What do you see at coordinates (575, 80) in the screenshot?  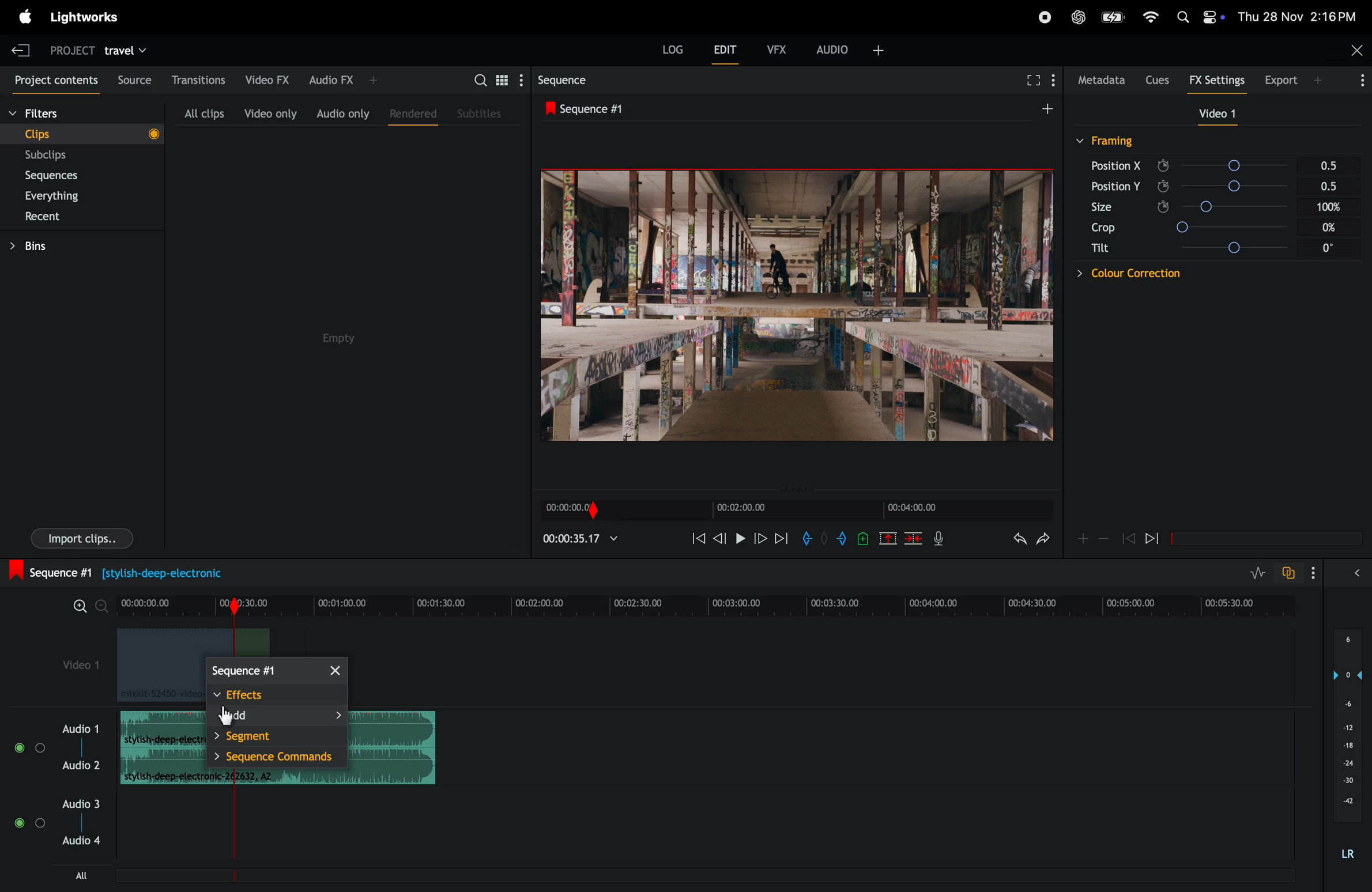 I see `sequence` at bounding box center [575, 80].